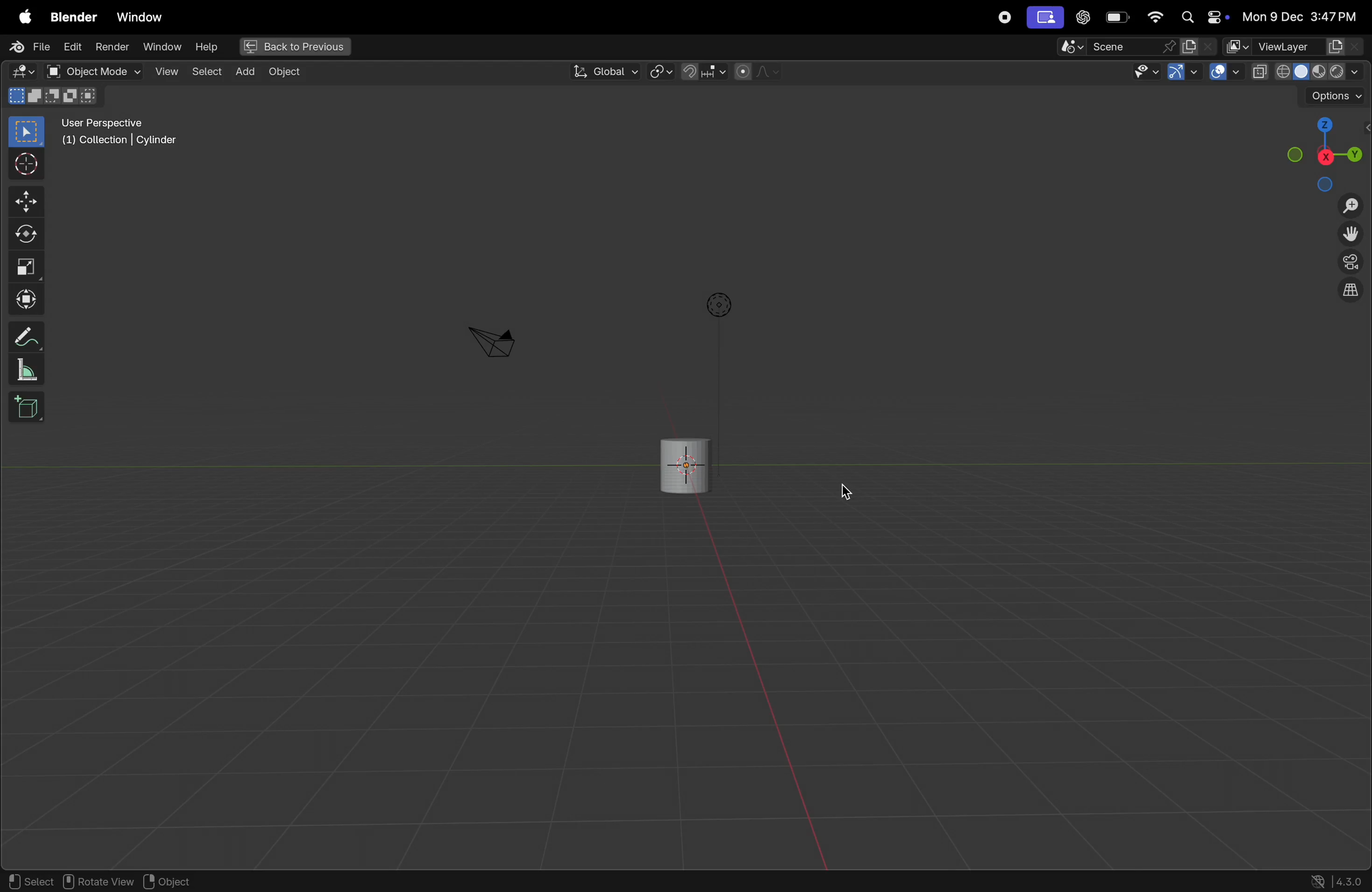 The width and height of the screenshot is (1372, 892). Describe the element at coordinates (842, 496) in the screenshot. I see `cursor` at that location.